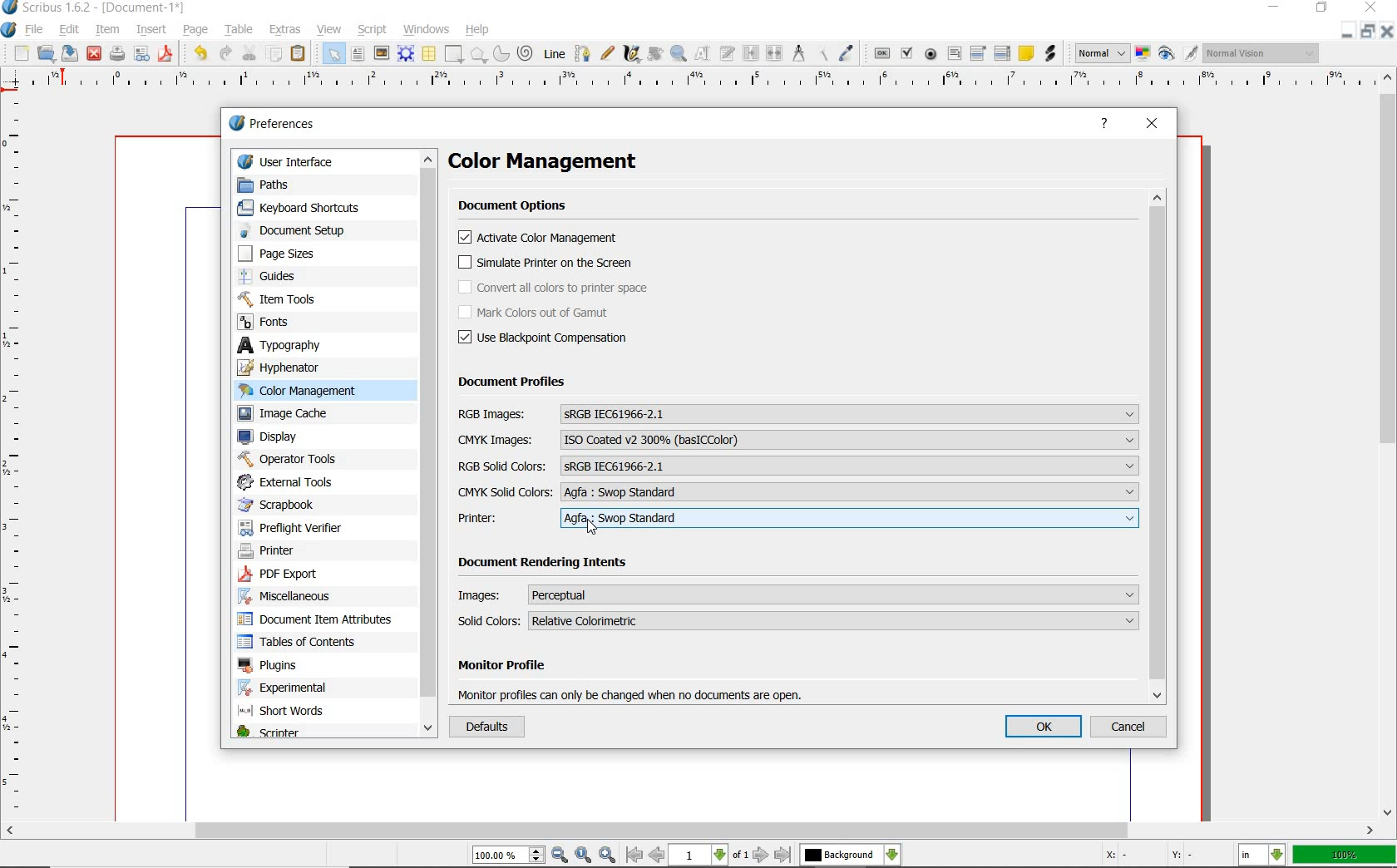 Image resolution: width=1397 pixels, height=868 pixels. Describe the element at coordinates (290, 482) in the screenshot. I see `external tools` at that location.